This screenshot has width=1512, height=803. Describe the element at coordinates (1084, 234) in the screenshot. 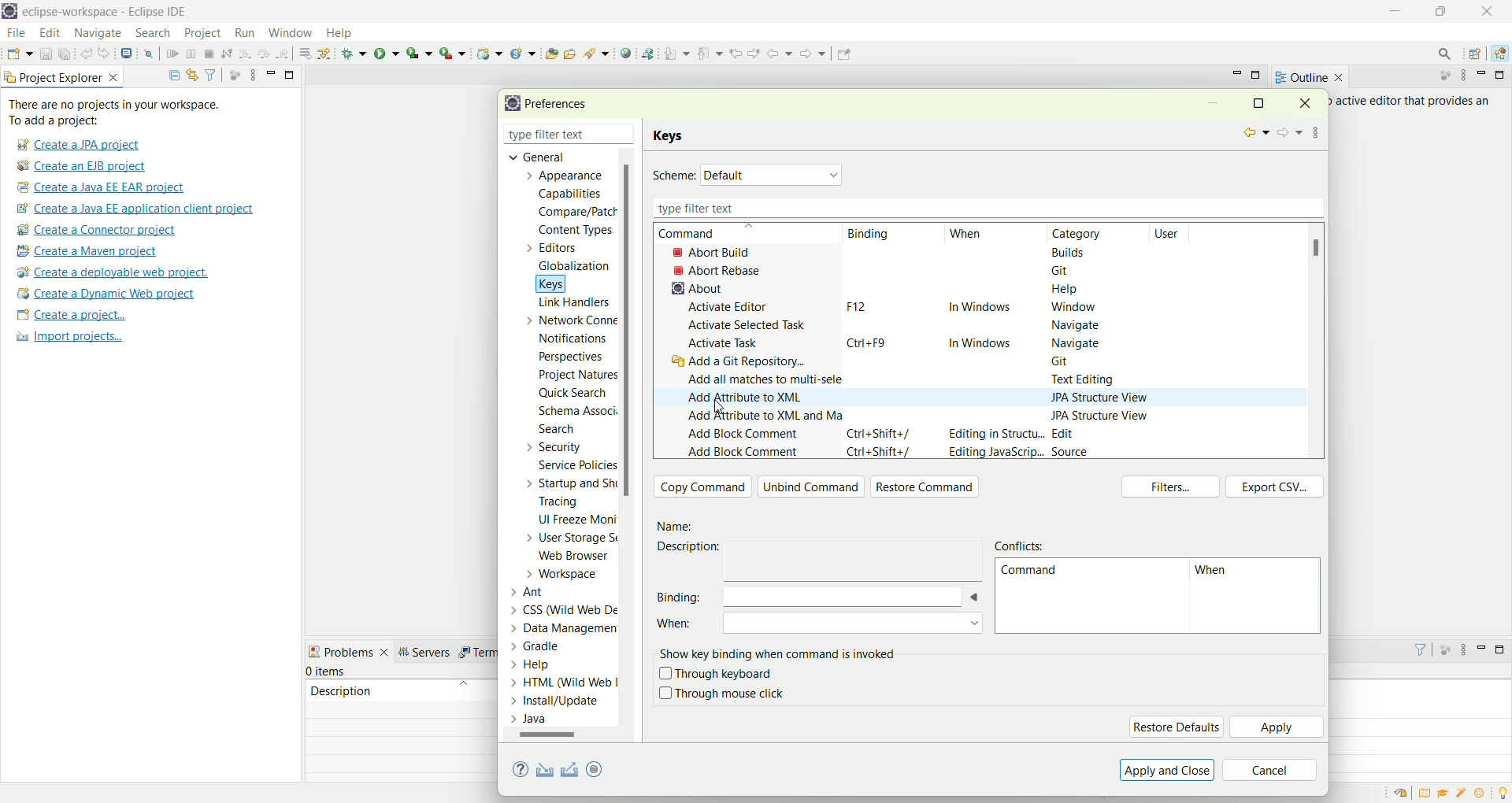

I see `category` at that location.